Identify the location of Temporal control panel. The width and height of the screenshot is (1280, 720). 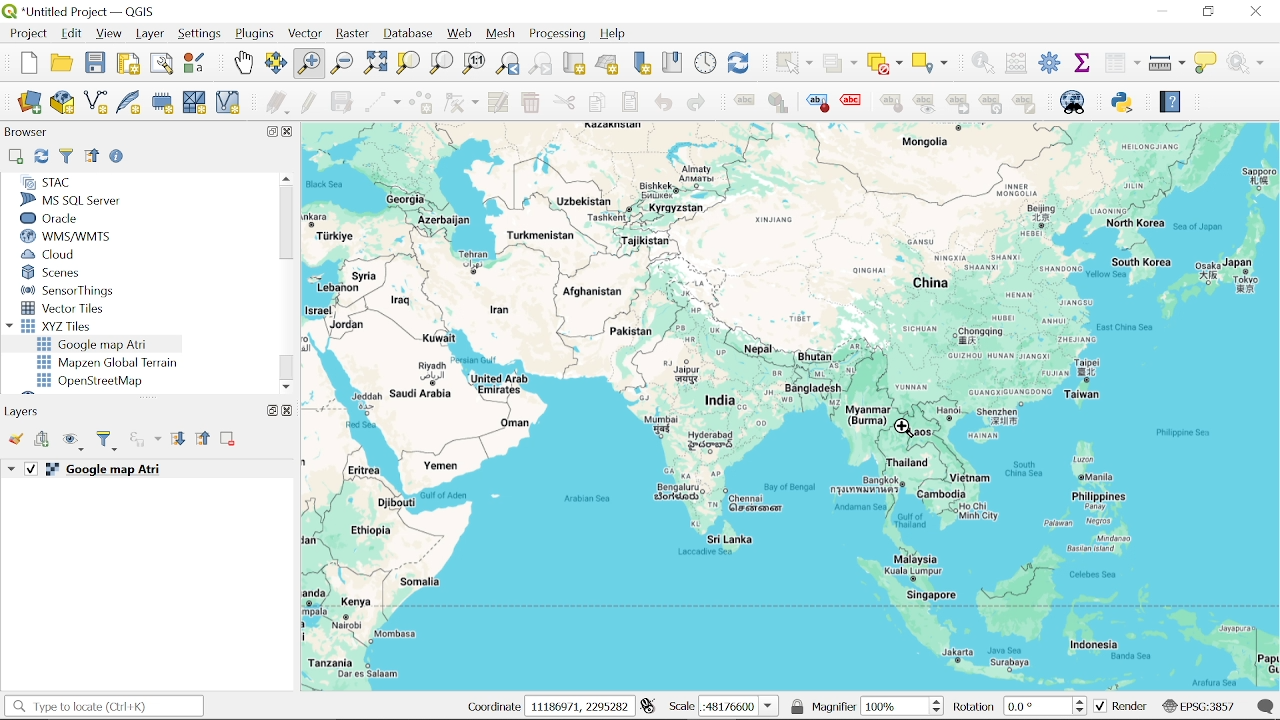
(706, 63).